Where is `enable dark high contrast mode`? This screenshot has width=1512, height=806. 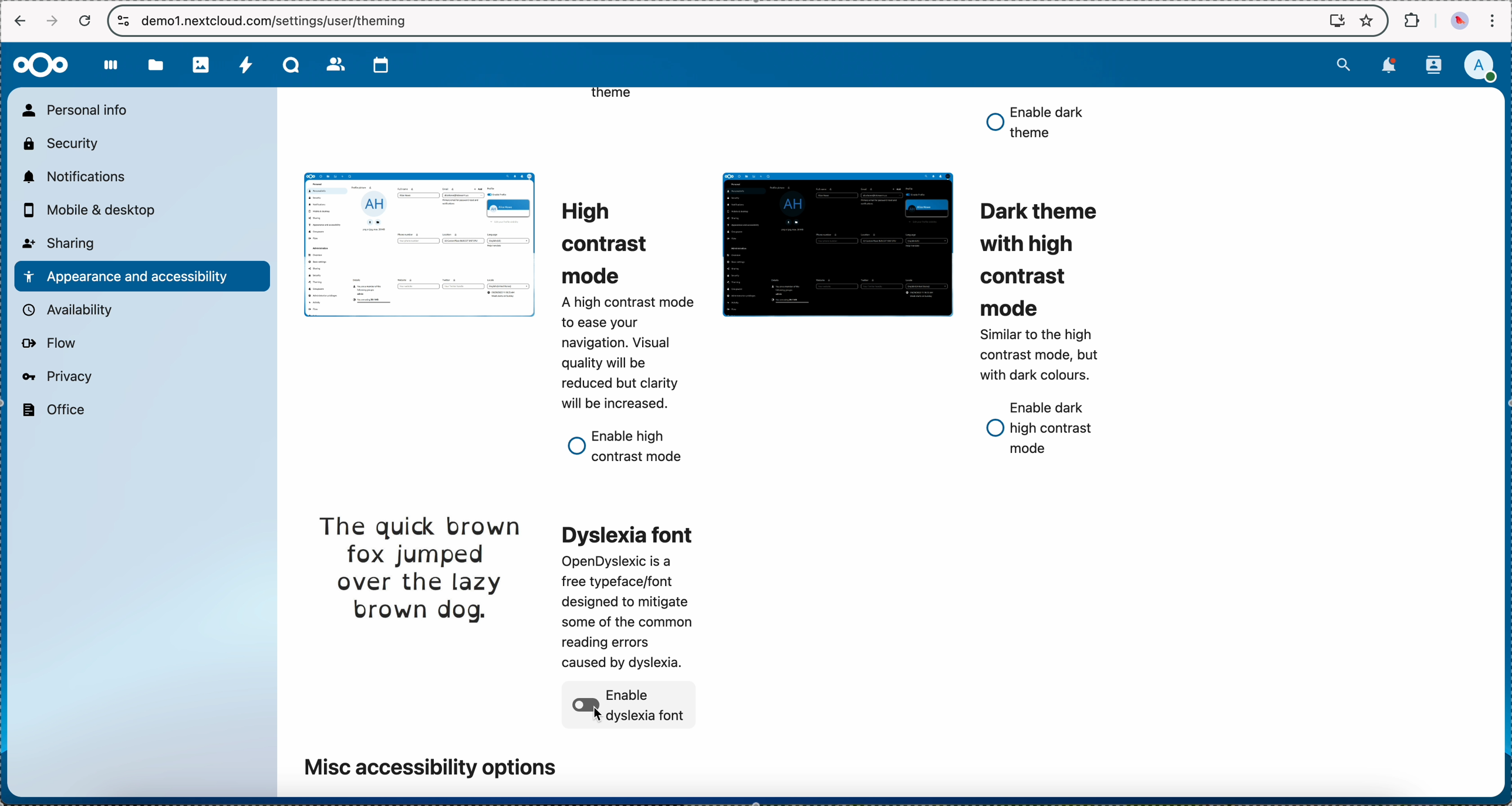 enable dark high contrast mode is located at coordinates (1041, 430).